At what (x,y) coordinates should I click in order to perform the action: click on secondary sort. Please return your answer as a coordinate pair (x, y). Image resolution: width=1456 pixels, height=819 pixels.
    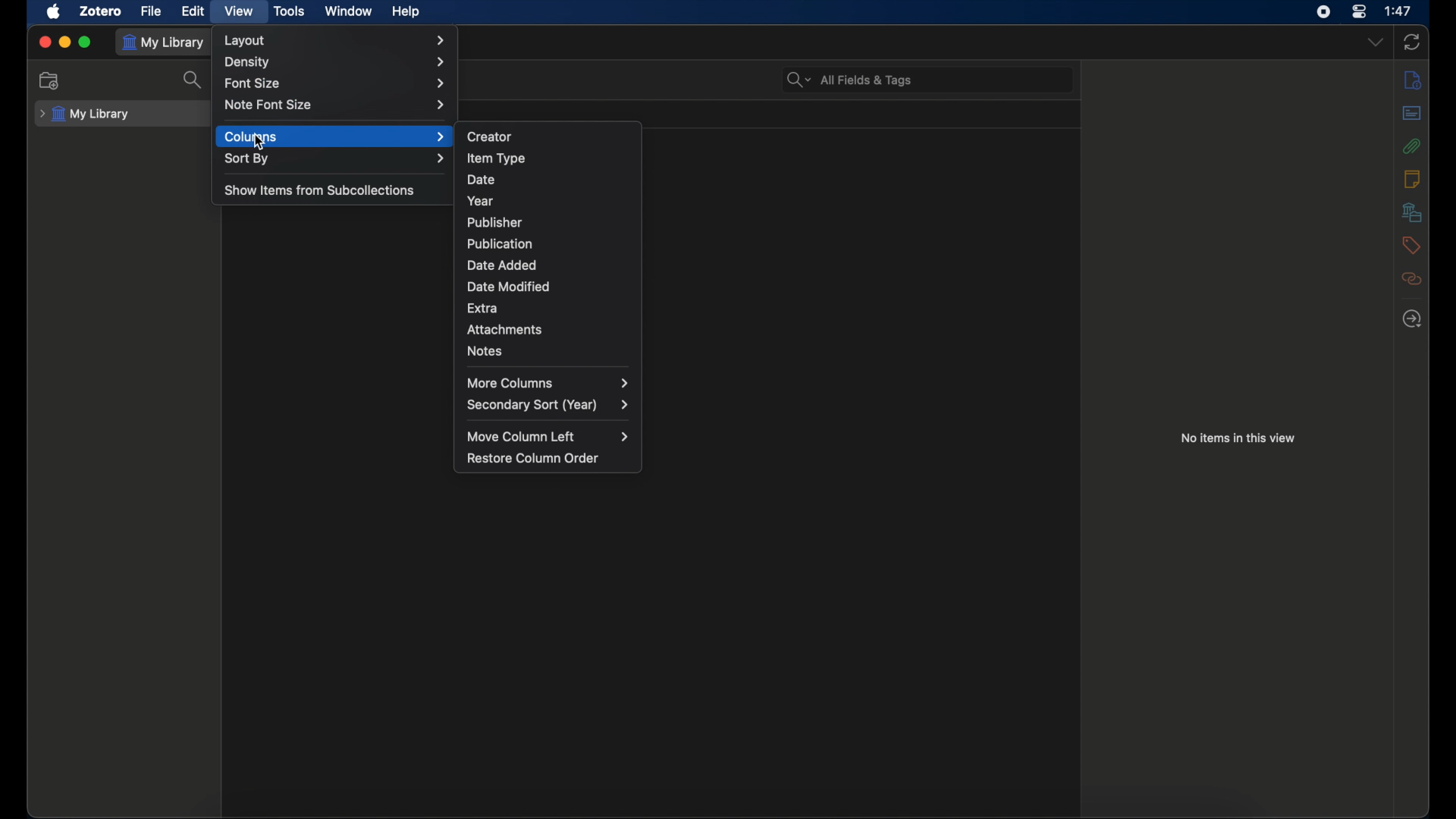
    Looking at the image, I should click on (549, 405).